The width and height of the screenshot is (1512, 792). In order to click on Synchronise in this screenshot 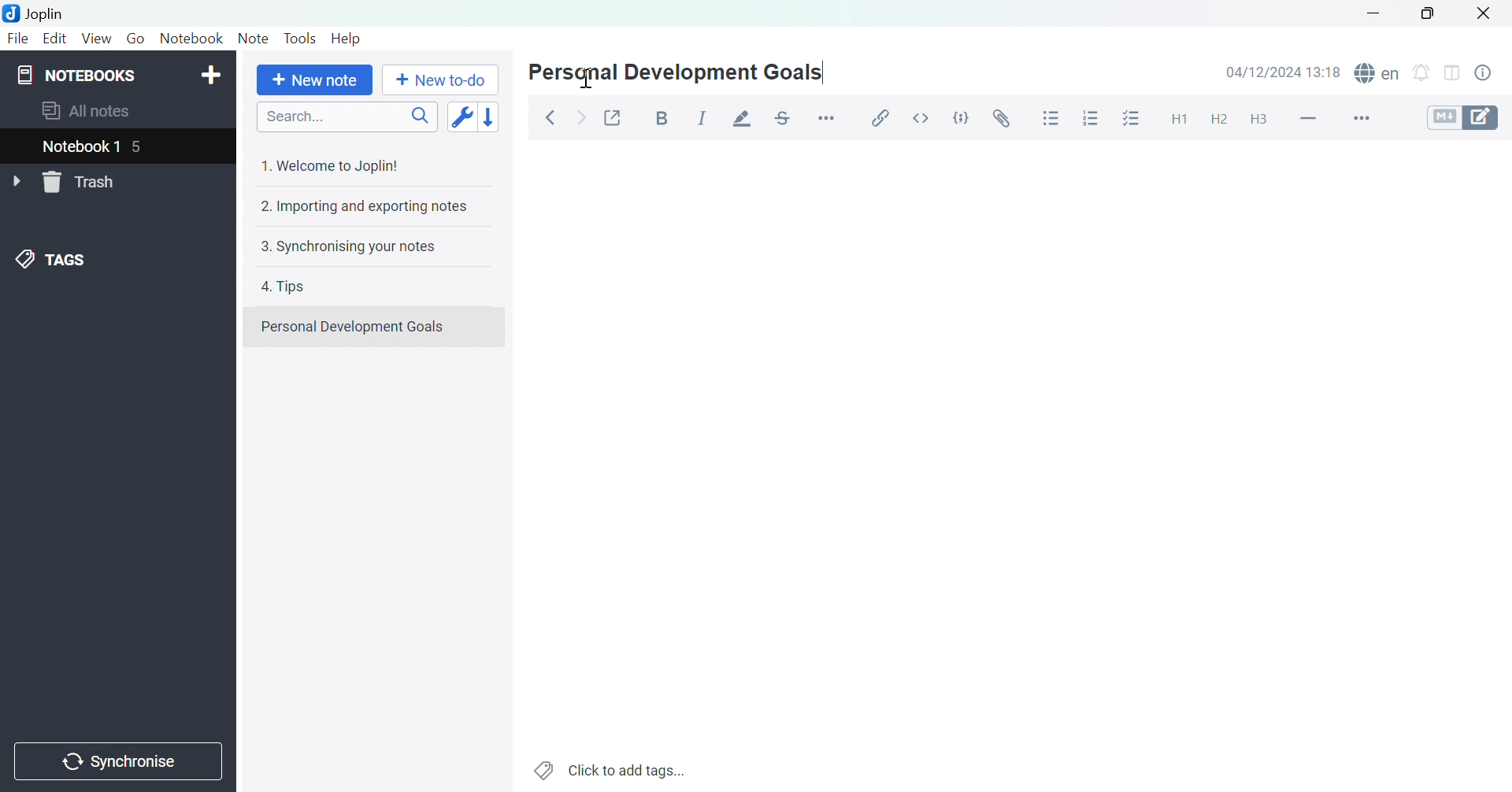, I will do `click(117, 763)`.